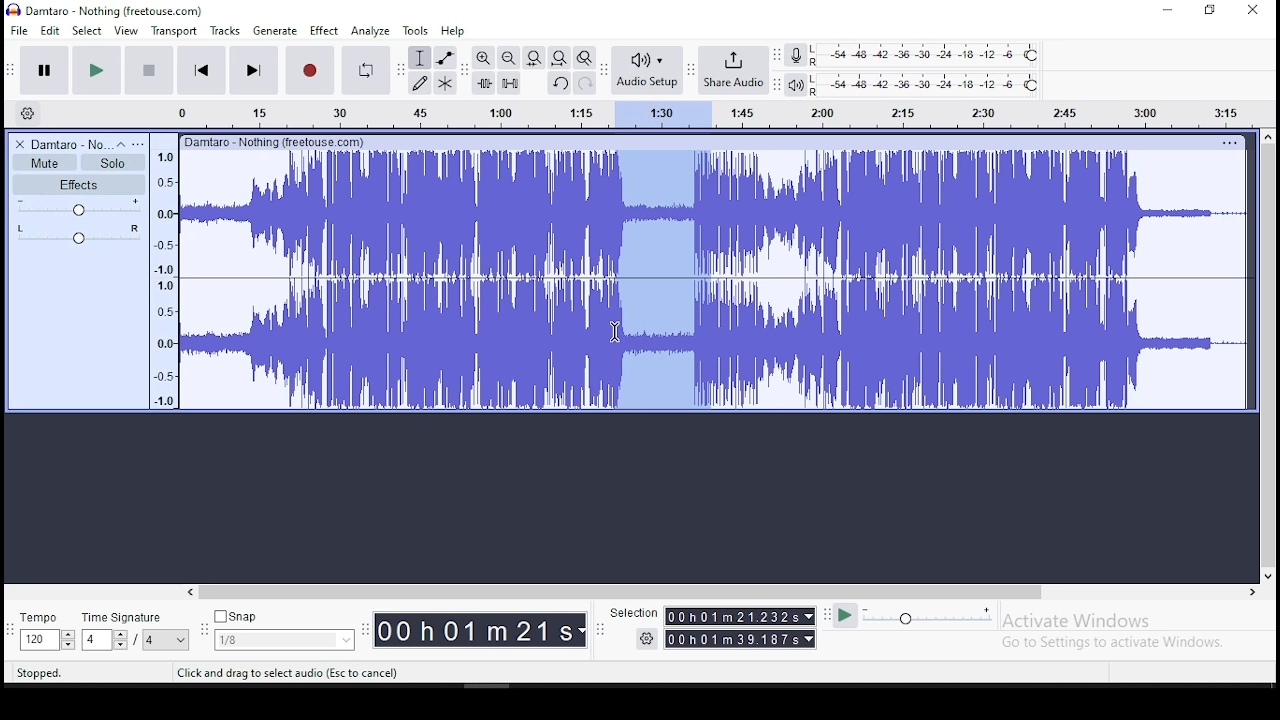 The width and height of the screenshot is (1280, 720). What do you see at coordinates (135, 617) in the screenshot?
I see `time signature` at bounding box center [135, 617].